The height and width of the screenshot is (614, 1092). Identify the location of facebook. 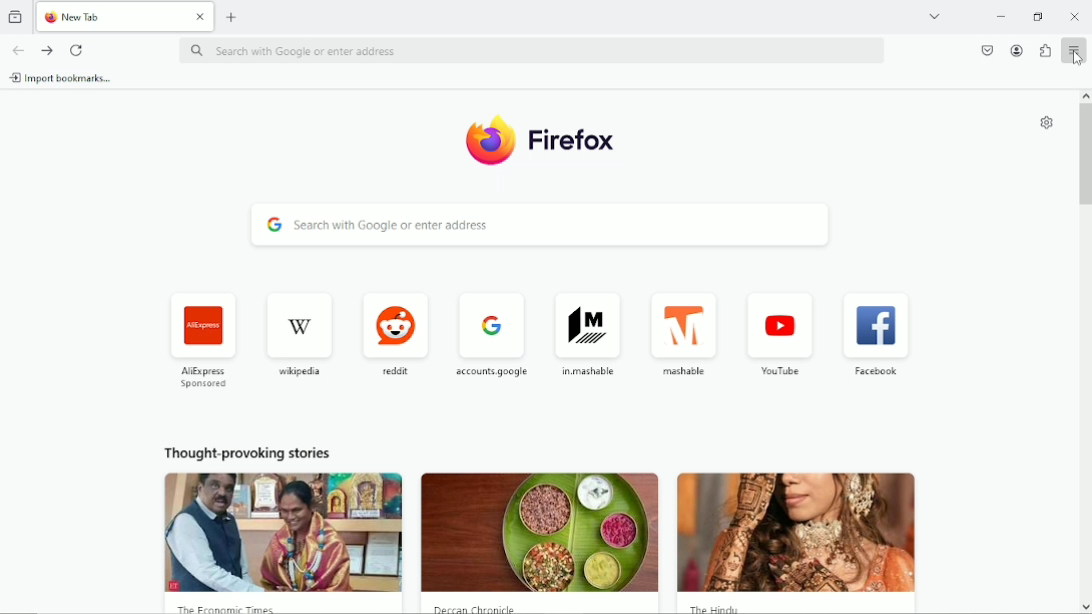
(874, 335).